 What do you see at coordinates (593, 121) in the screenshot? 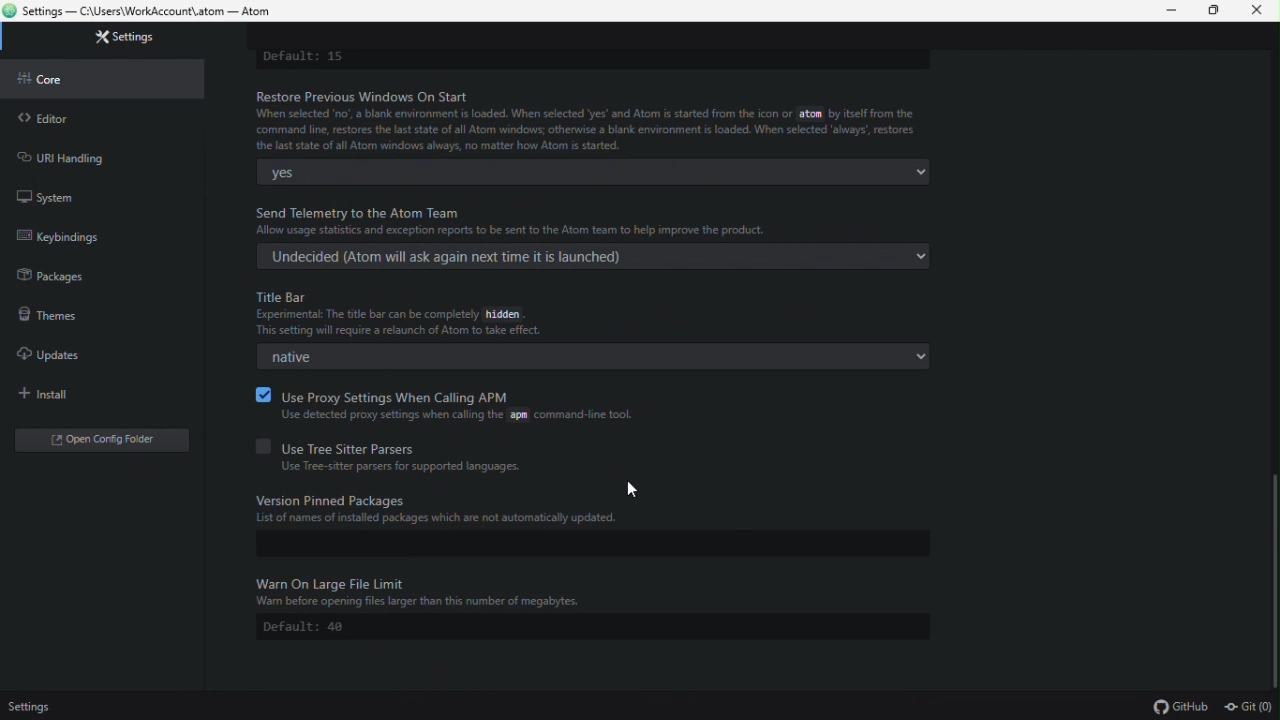
I see `Restore previous Windows on start` at bounding box center [593, 121].